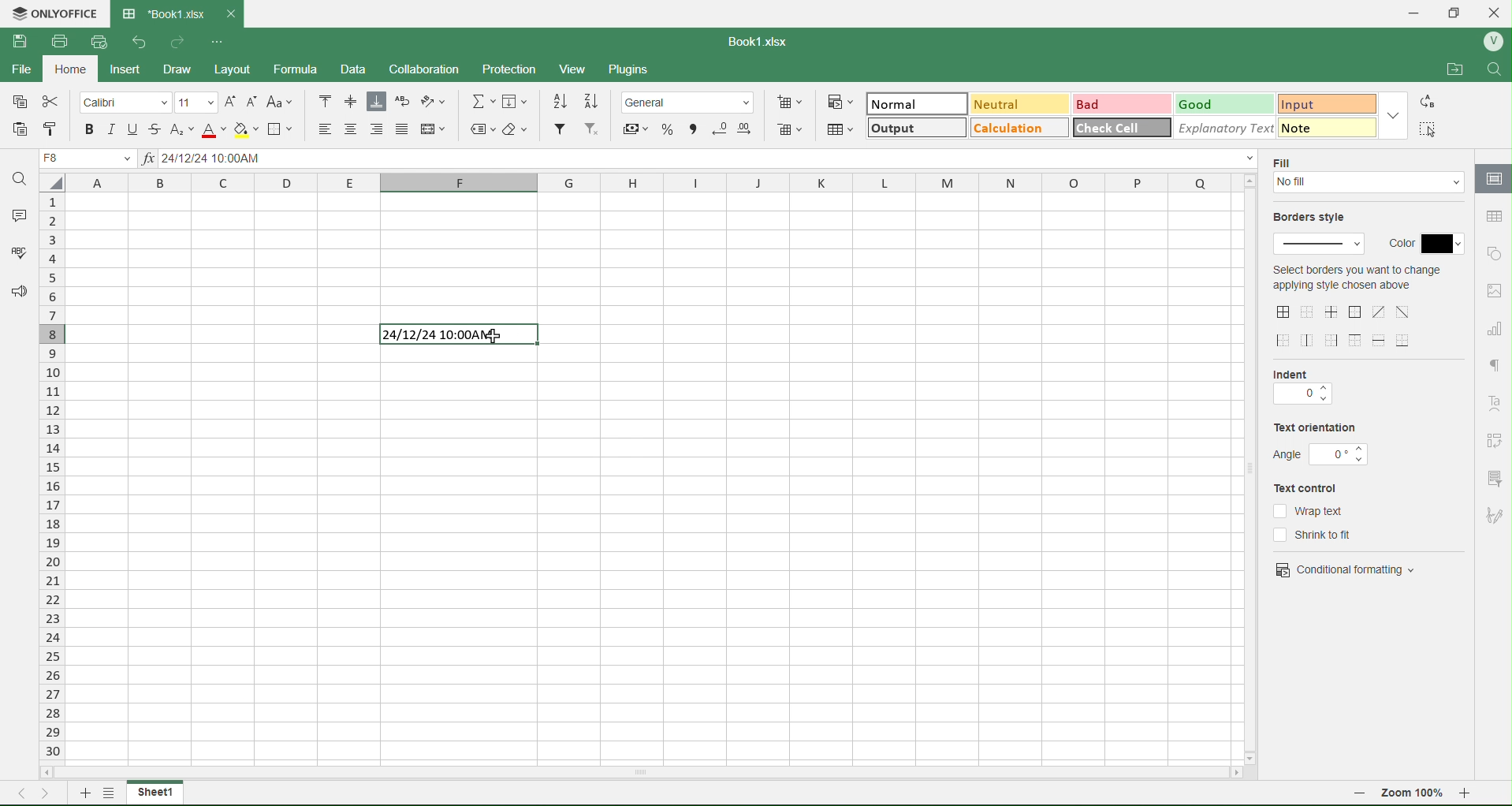  What do you see at coordinates (106, 795) in the screenshot?
I see `Options` at bounding box center [106, 795].